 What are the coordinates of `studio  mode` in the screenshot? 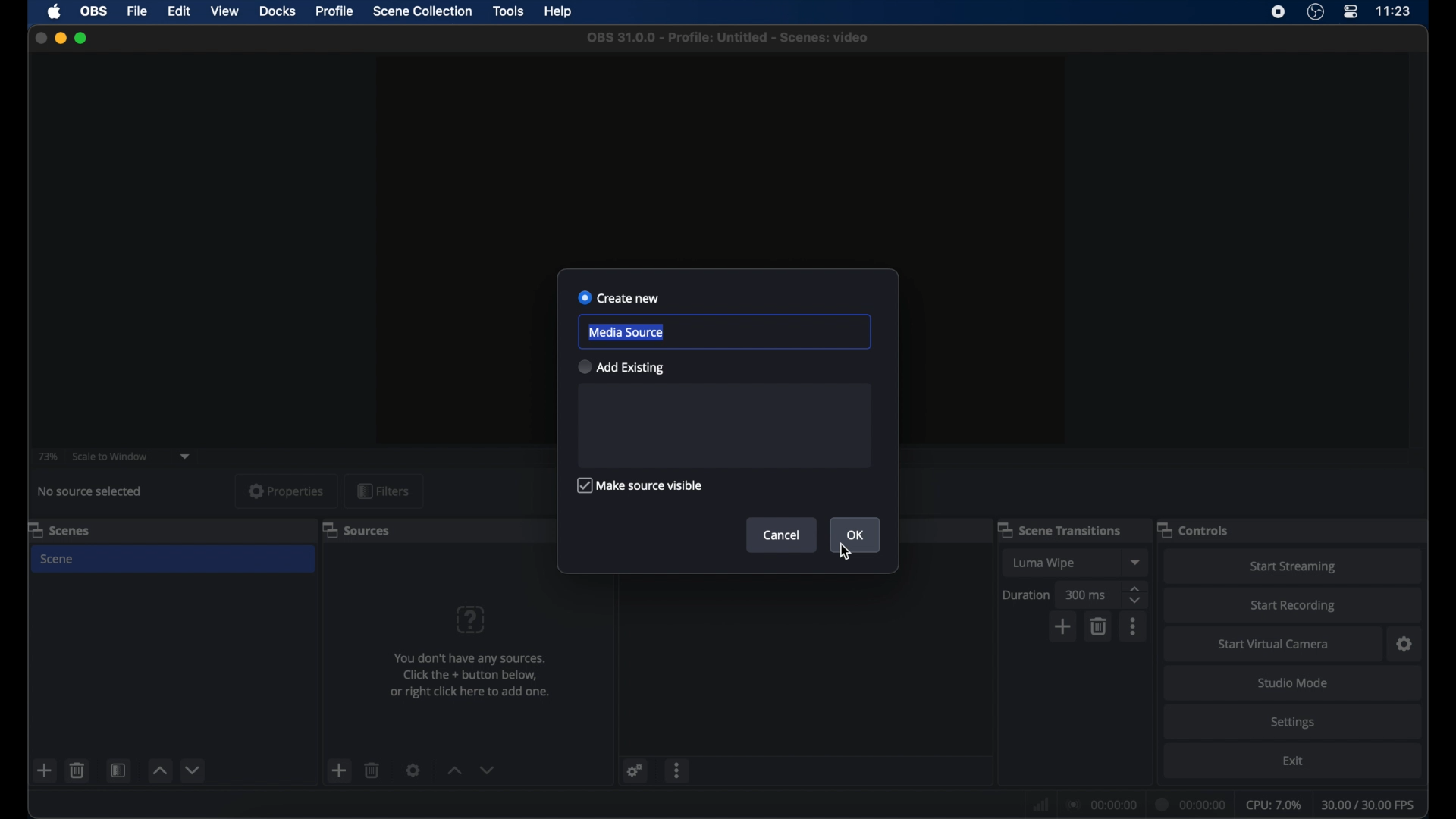 It's located at (1293, 682).